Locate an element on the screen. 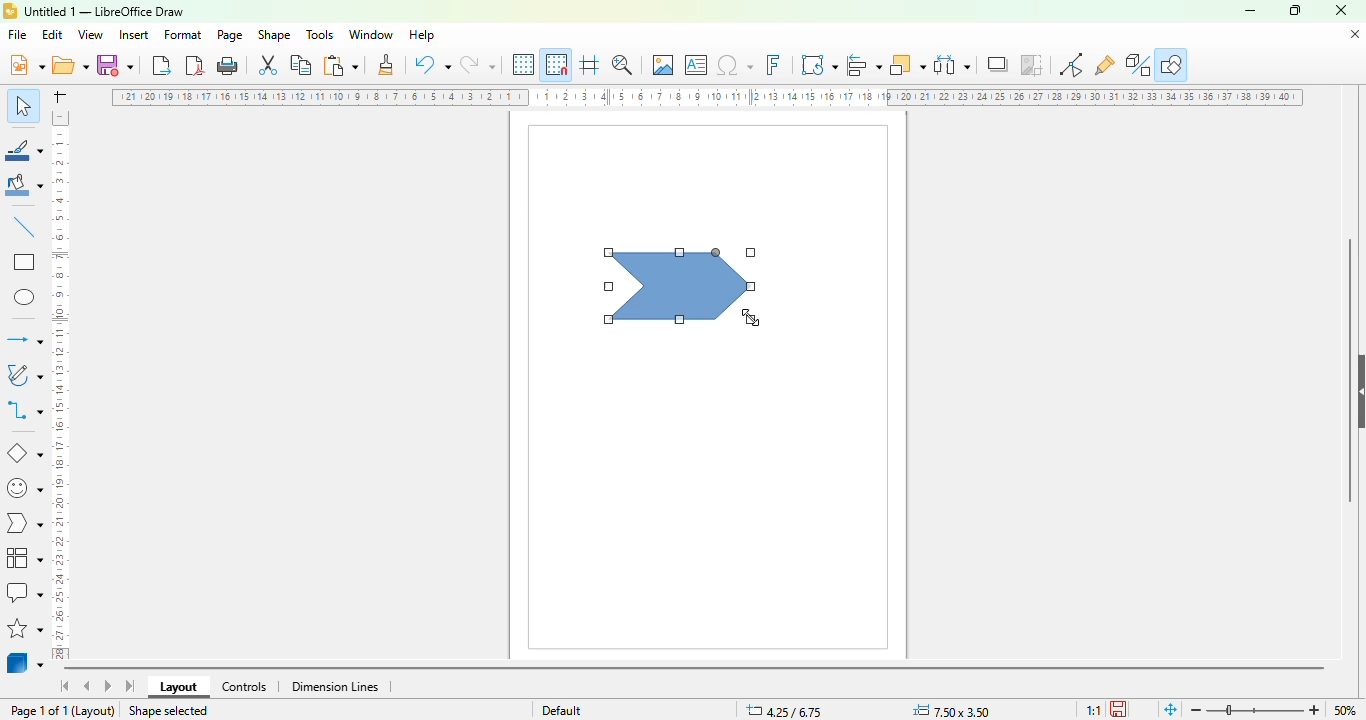 Image resolution: width=1366 pixels, height=720 pixels. rectangle is located at coordinates (25, 261).